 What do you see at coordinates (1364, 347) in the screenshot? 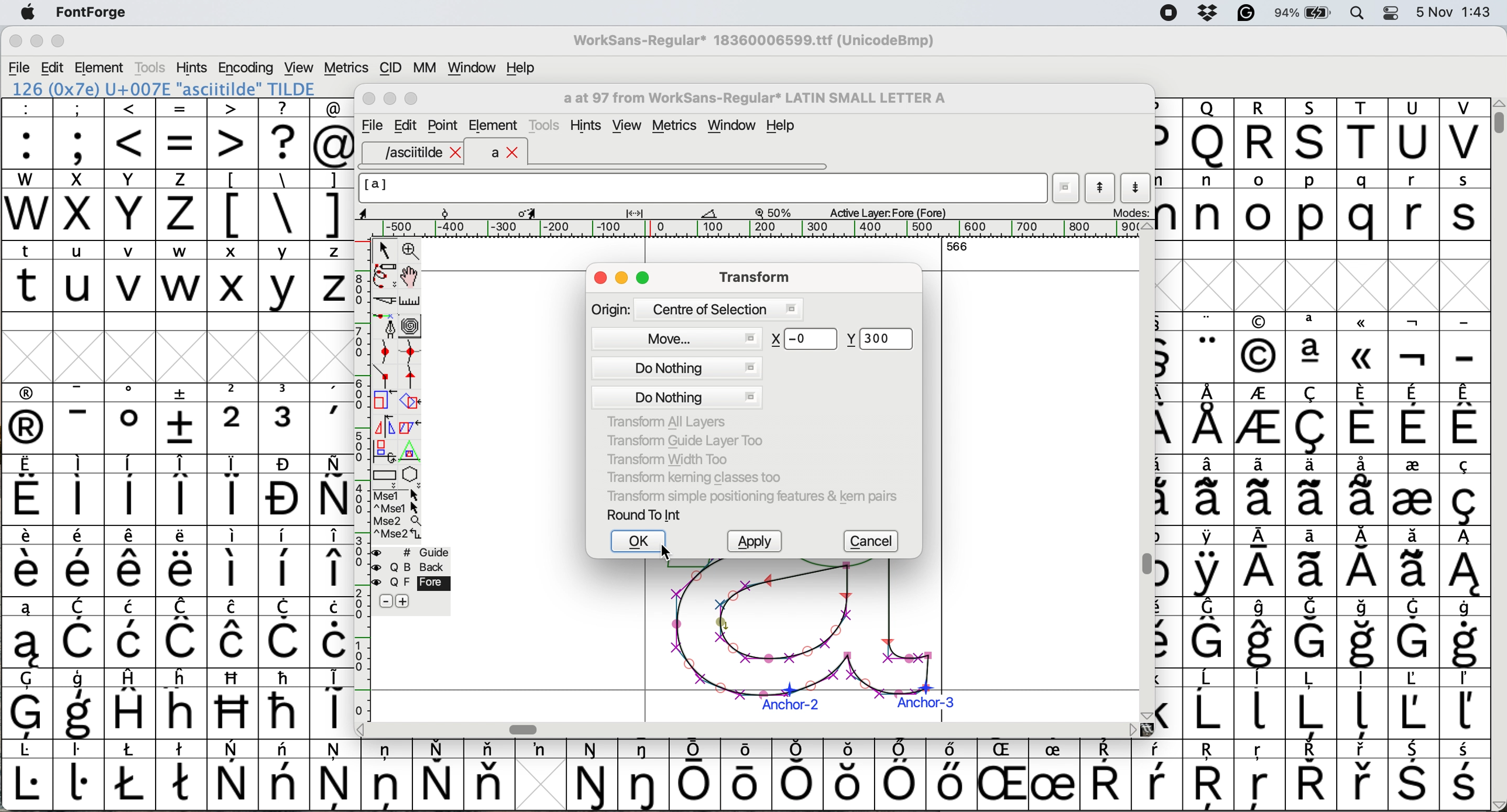
I see `` at bounding box center [1364, 347].